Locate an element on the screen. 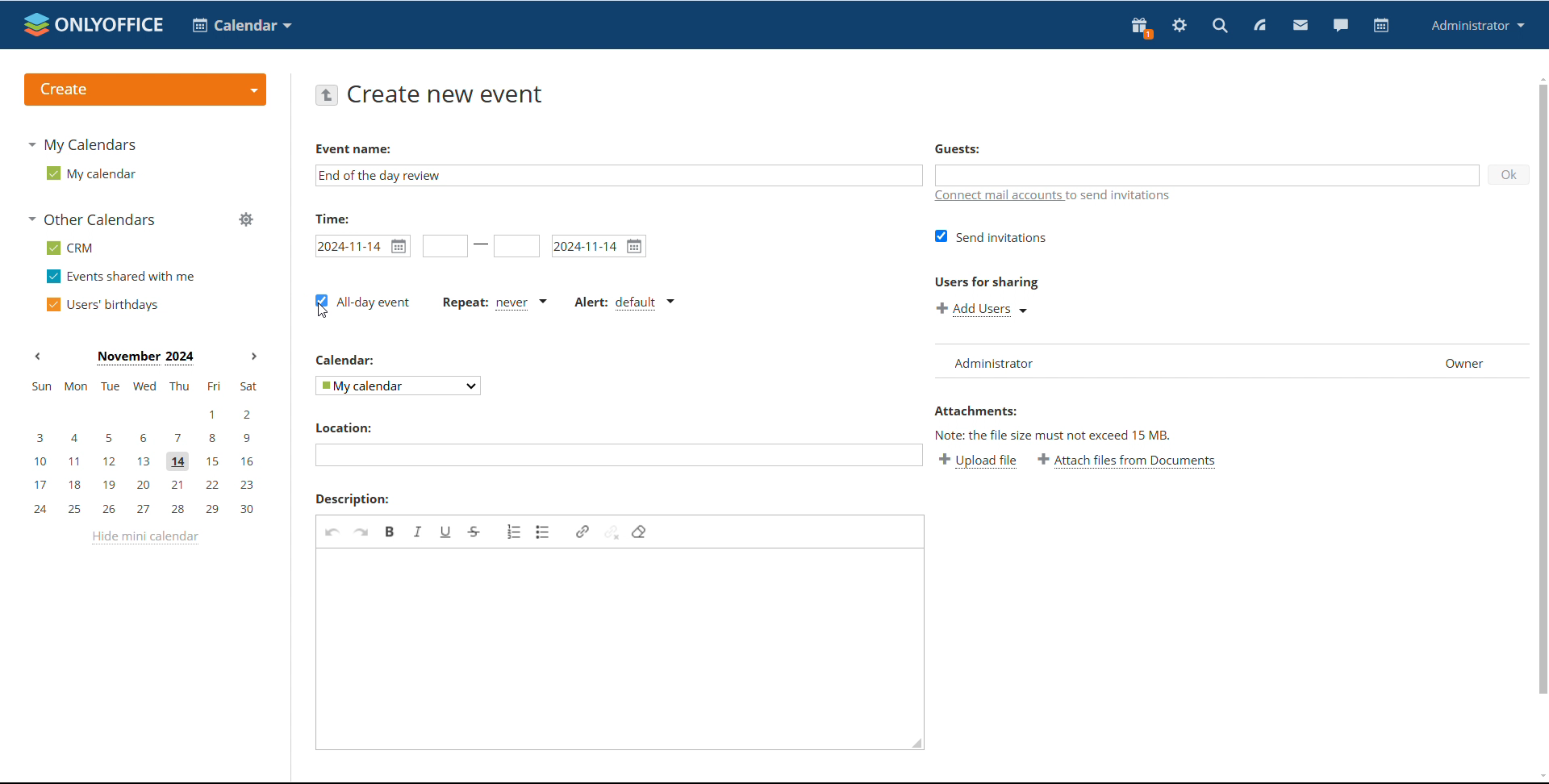  present is located at coordinates (1140, 27).